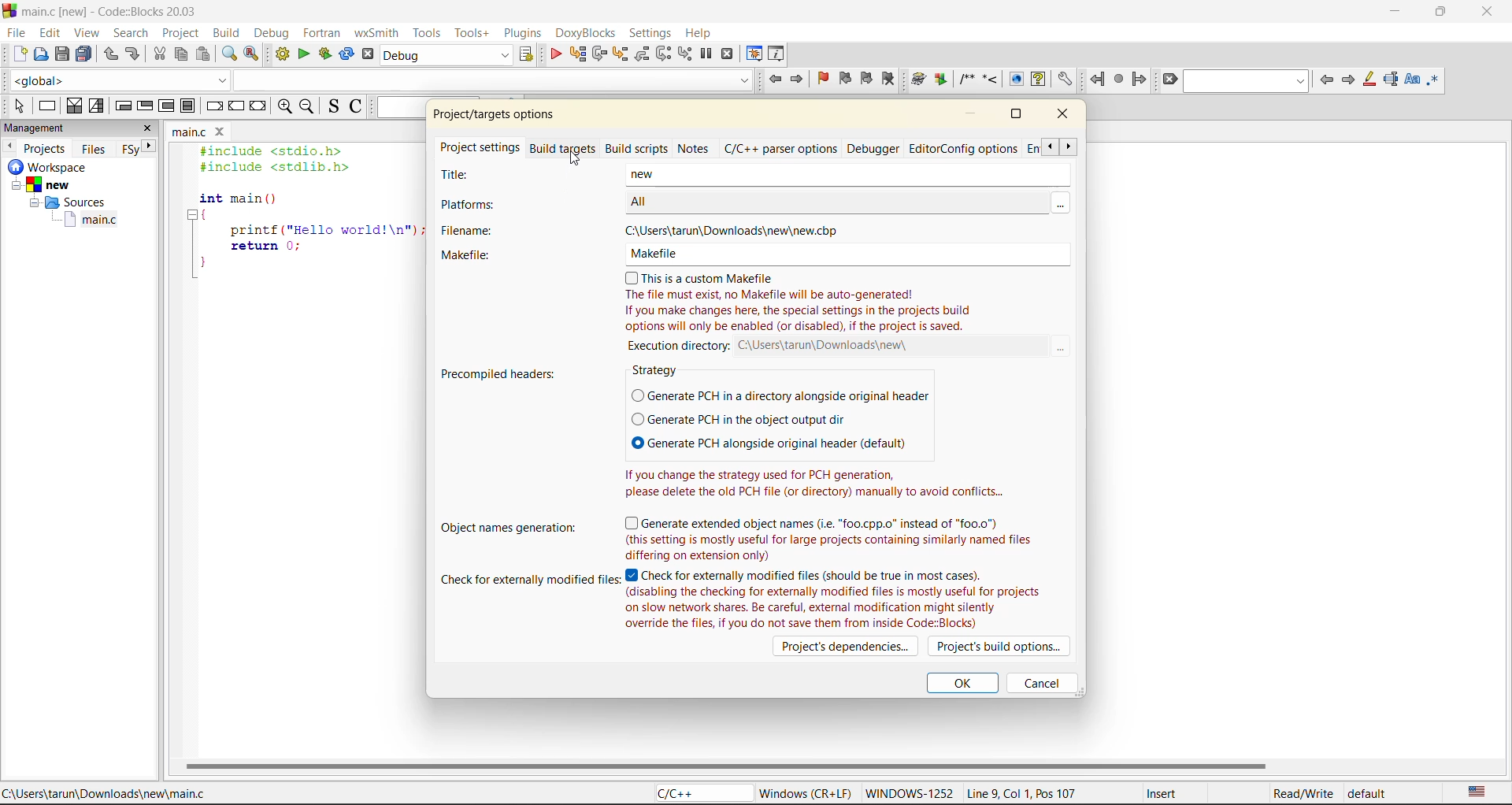 The height and width of the screenshot is (805, 1512). Describe the element at coordinates (875, 148) in the screenshot. I see `debugger` at that location.